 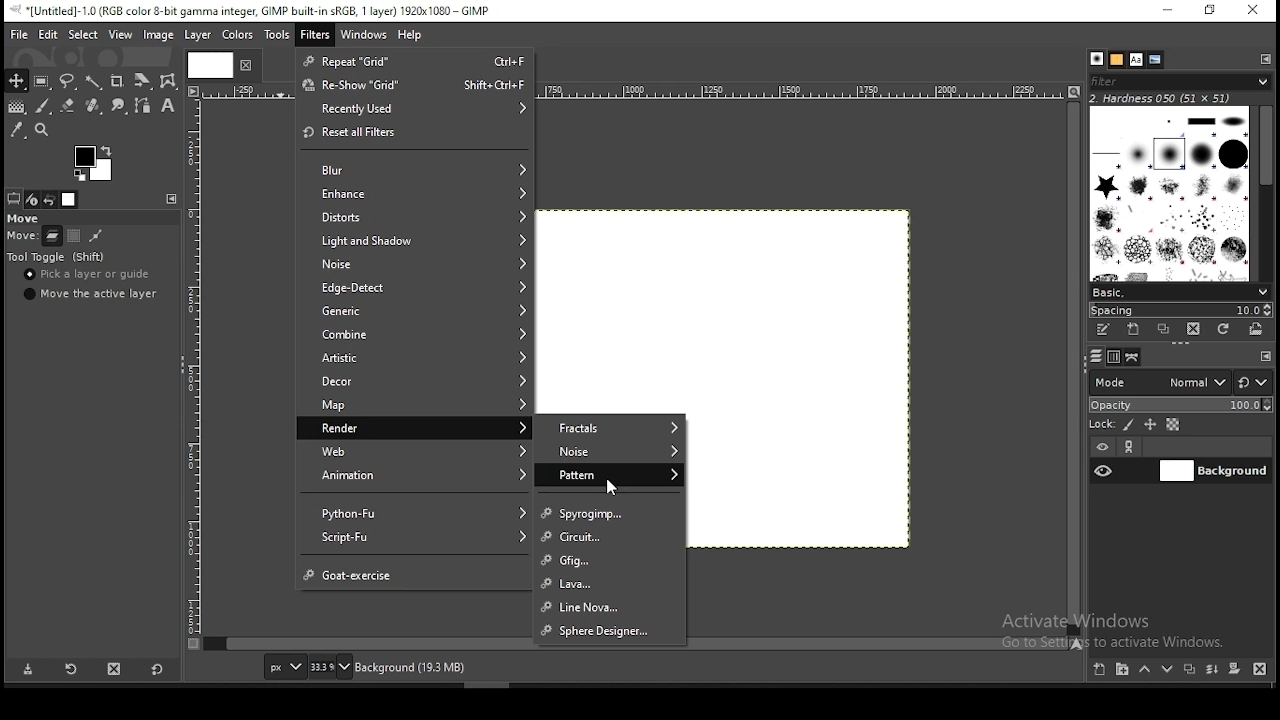 I want to click on background (19.3mb), so click(x=410, y=666).